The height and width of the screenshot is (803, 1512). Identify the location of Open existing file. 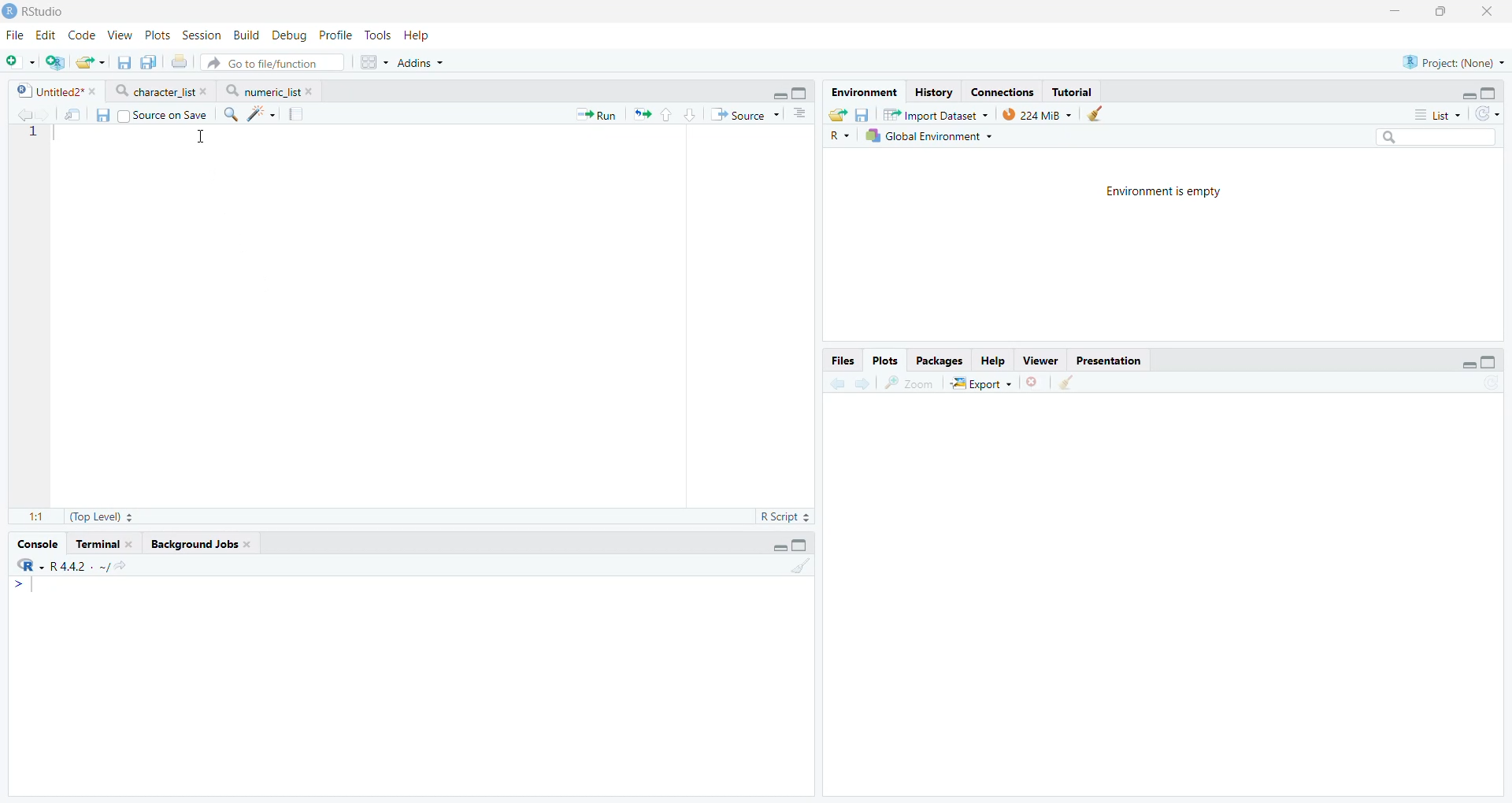
(89, 62).